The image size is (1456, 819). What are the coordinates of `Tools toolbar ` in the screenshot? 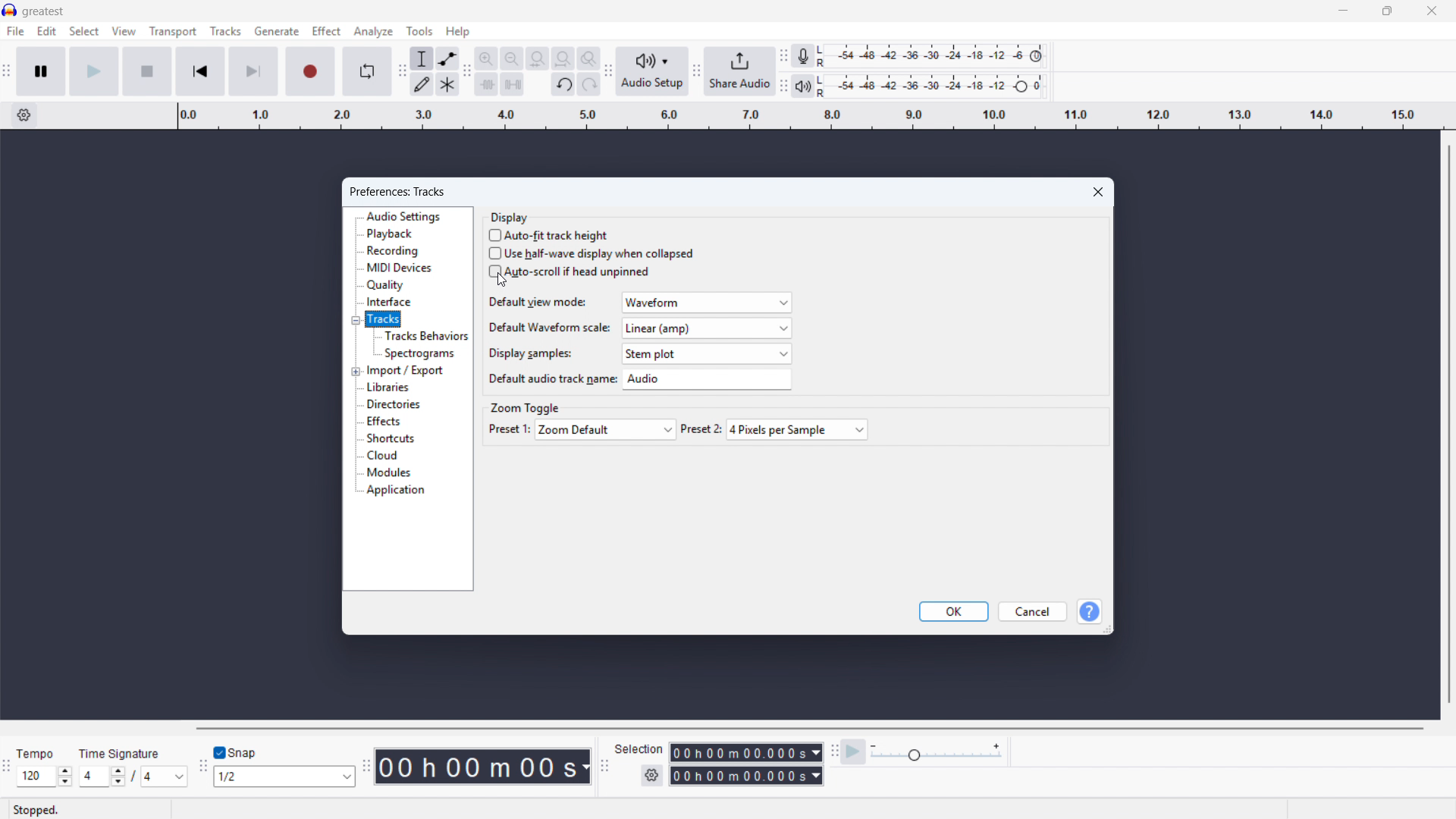 It's located at (401, 71).